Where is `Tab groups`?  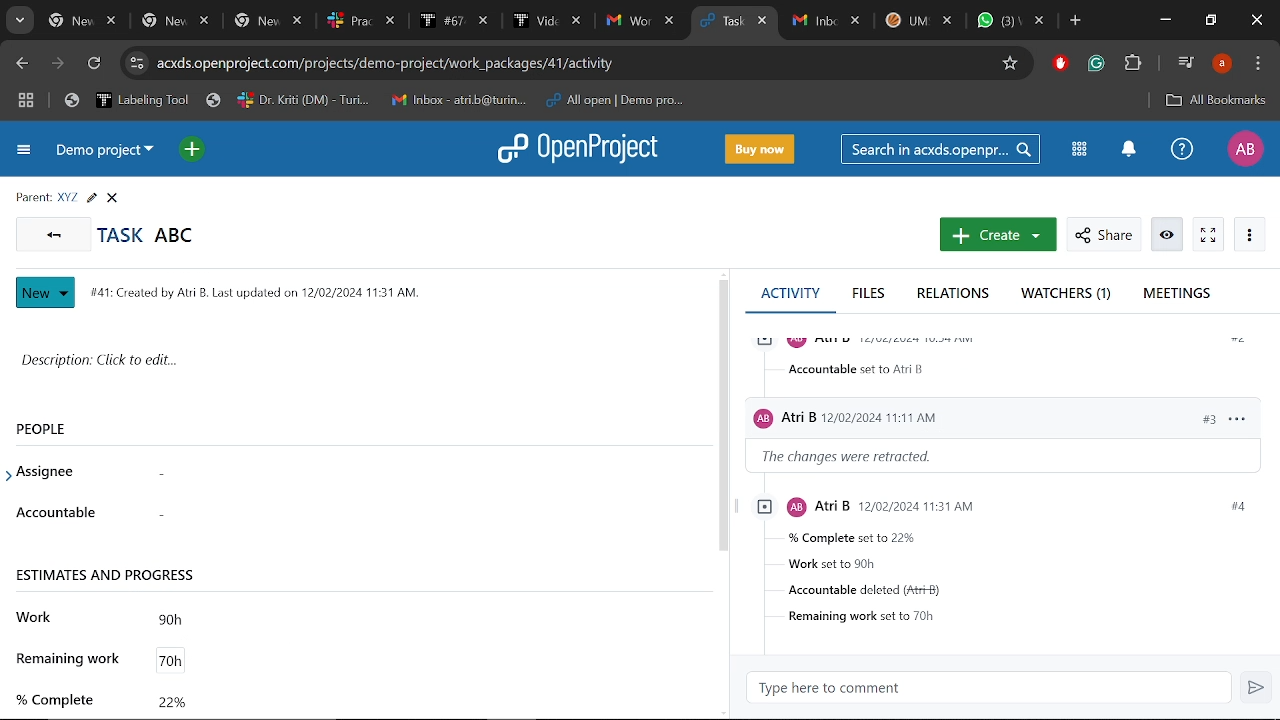
Tab groups is located at coordinates (26, 102).